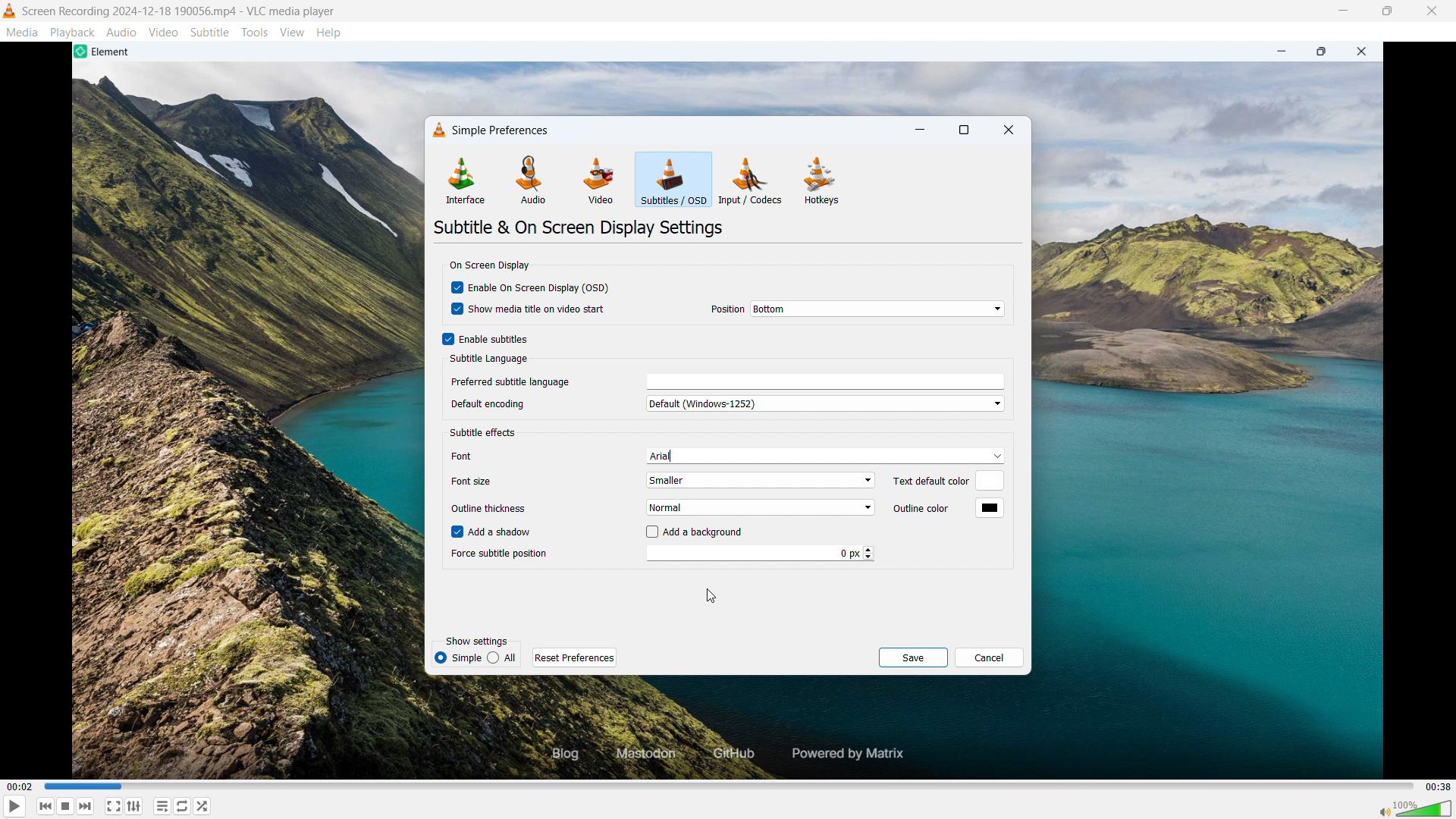 Image resolution: width=1456 pixels, height=819 pixels. Describe the element at coordinates (1386, 11) in the screenshot. I see `maximize` at that location.